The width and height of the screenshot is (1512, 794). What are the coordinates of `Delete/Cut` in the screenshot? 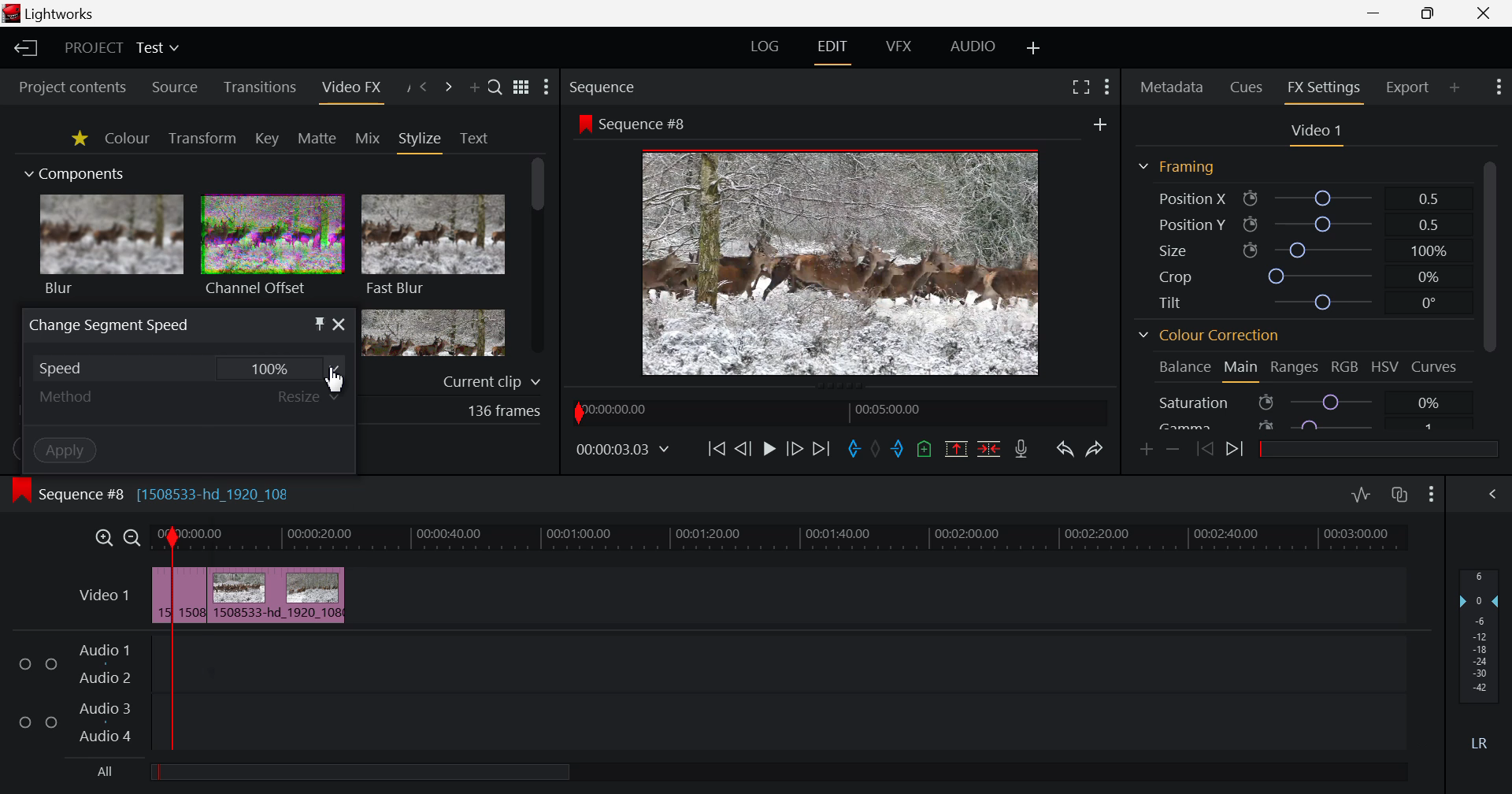 It's located at (989, 449).